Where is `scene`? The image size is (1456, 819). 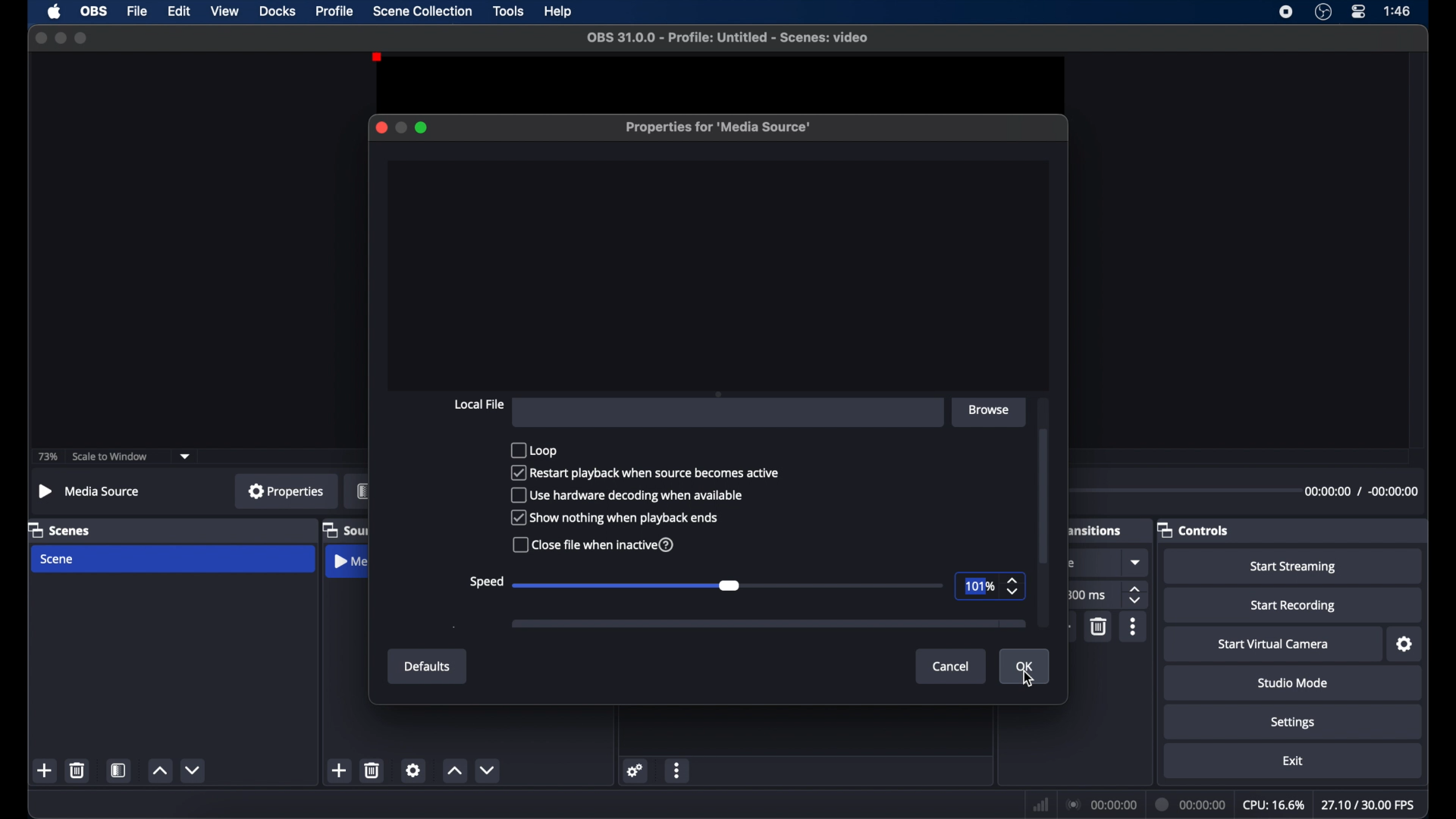 scene is located at coordinates (58, 560).